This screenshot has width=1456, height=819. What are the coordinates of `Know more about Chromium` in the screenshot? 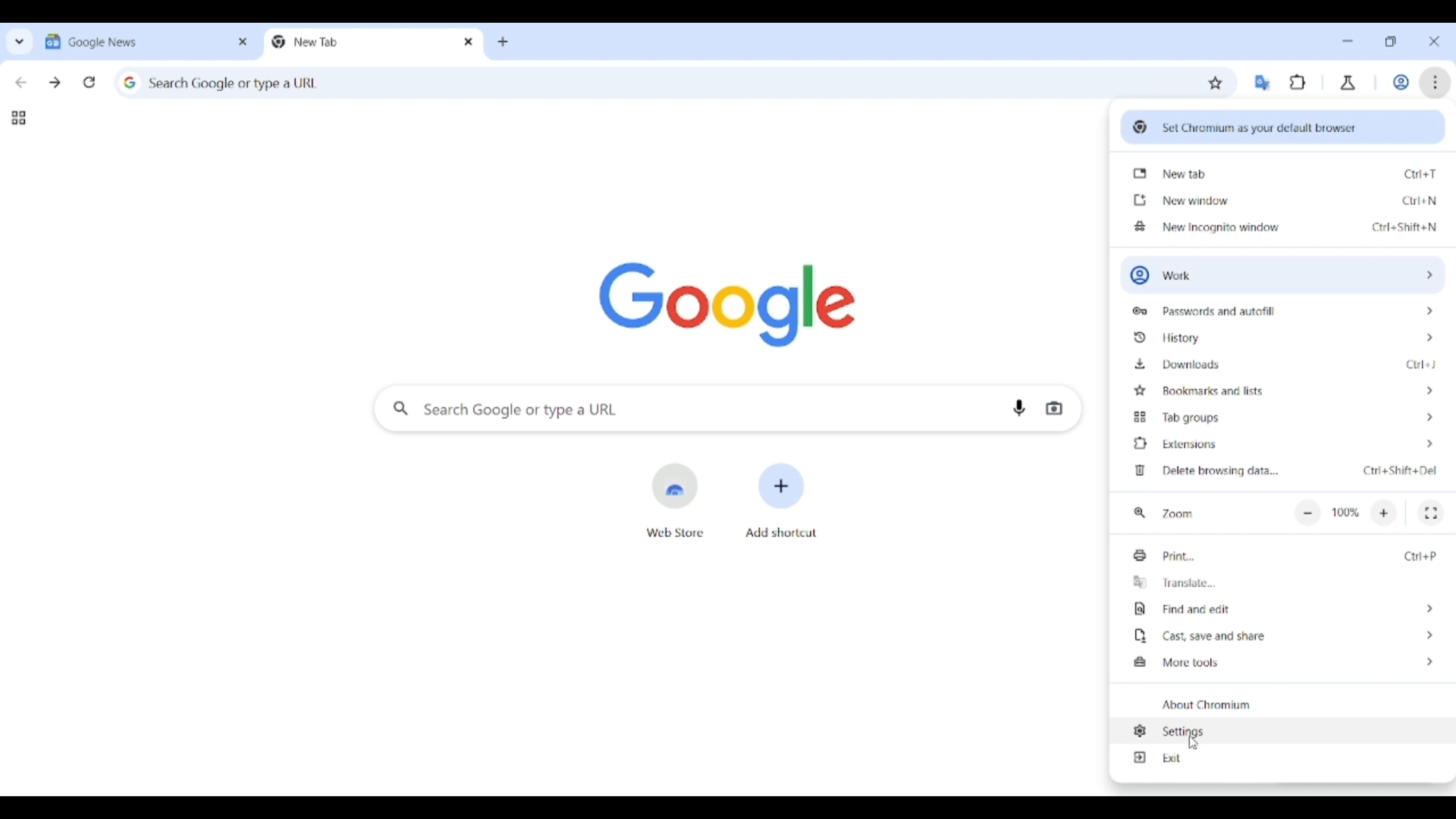 It's located at (1282, 704).